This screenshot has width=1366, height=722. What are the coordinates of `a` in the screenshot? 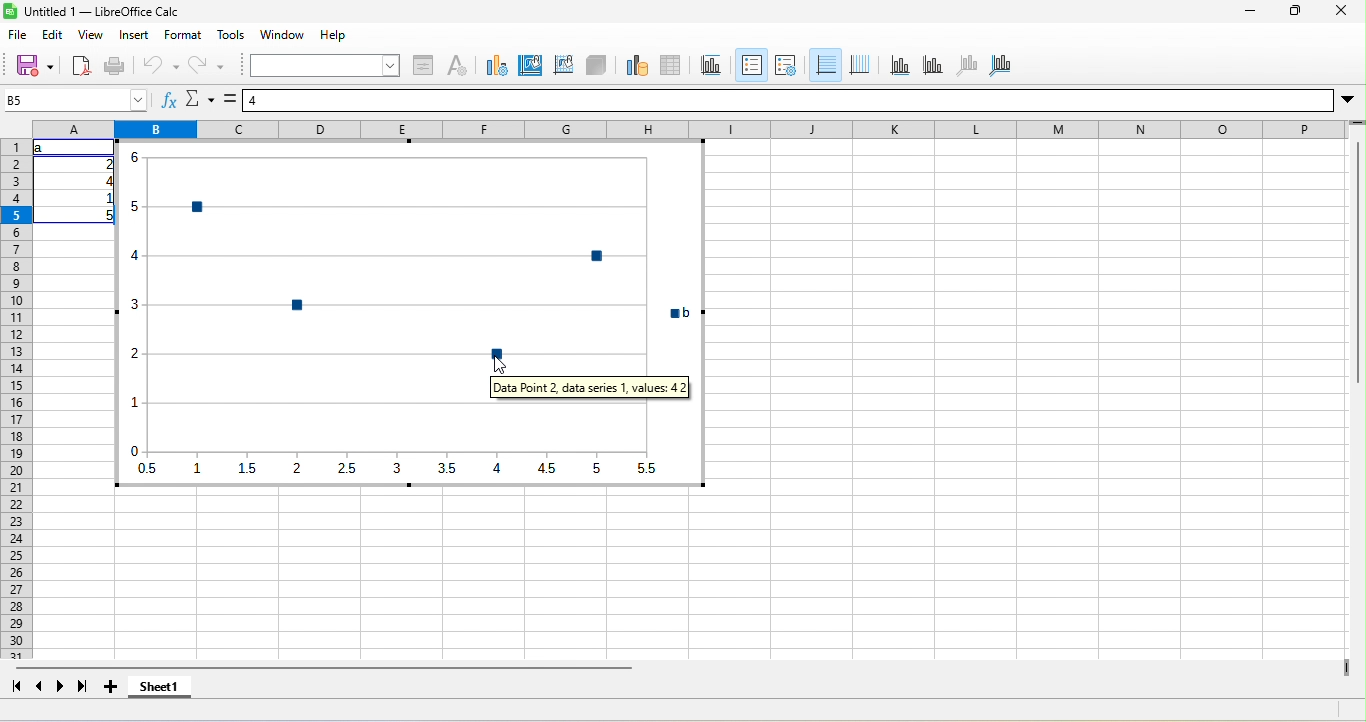 It's located at (42, 148).